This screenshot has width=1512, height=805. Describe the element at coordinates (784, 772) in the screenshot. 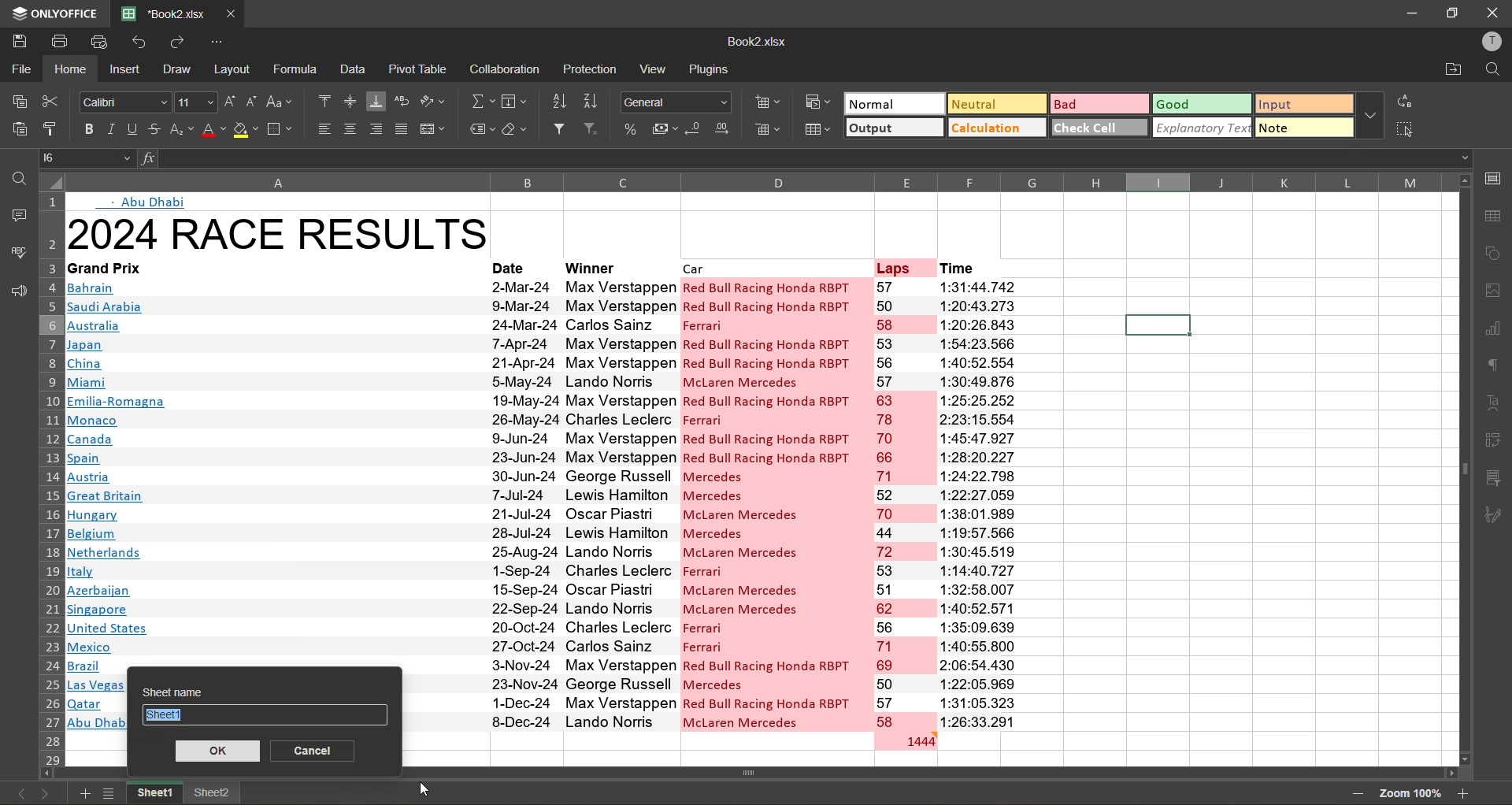

I see `scroll bar` at that location.